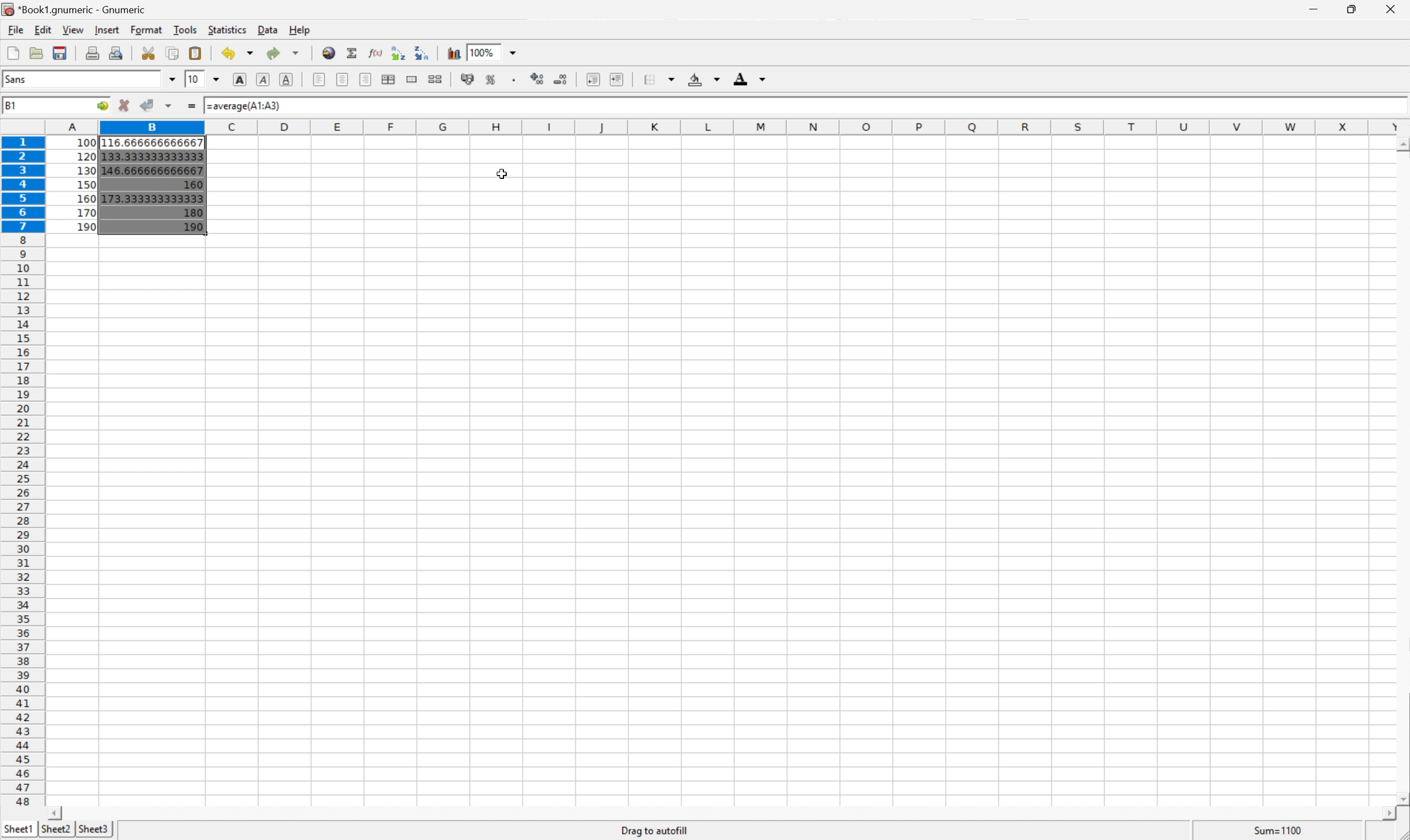  What do you see at coordinates (57, 829) in the screenshot?
I see `Sheet2` at bounding box center [57, 829].